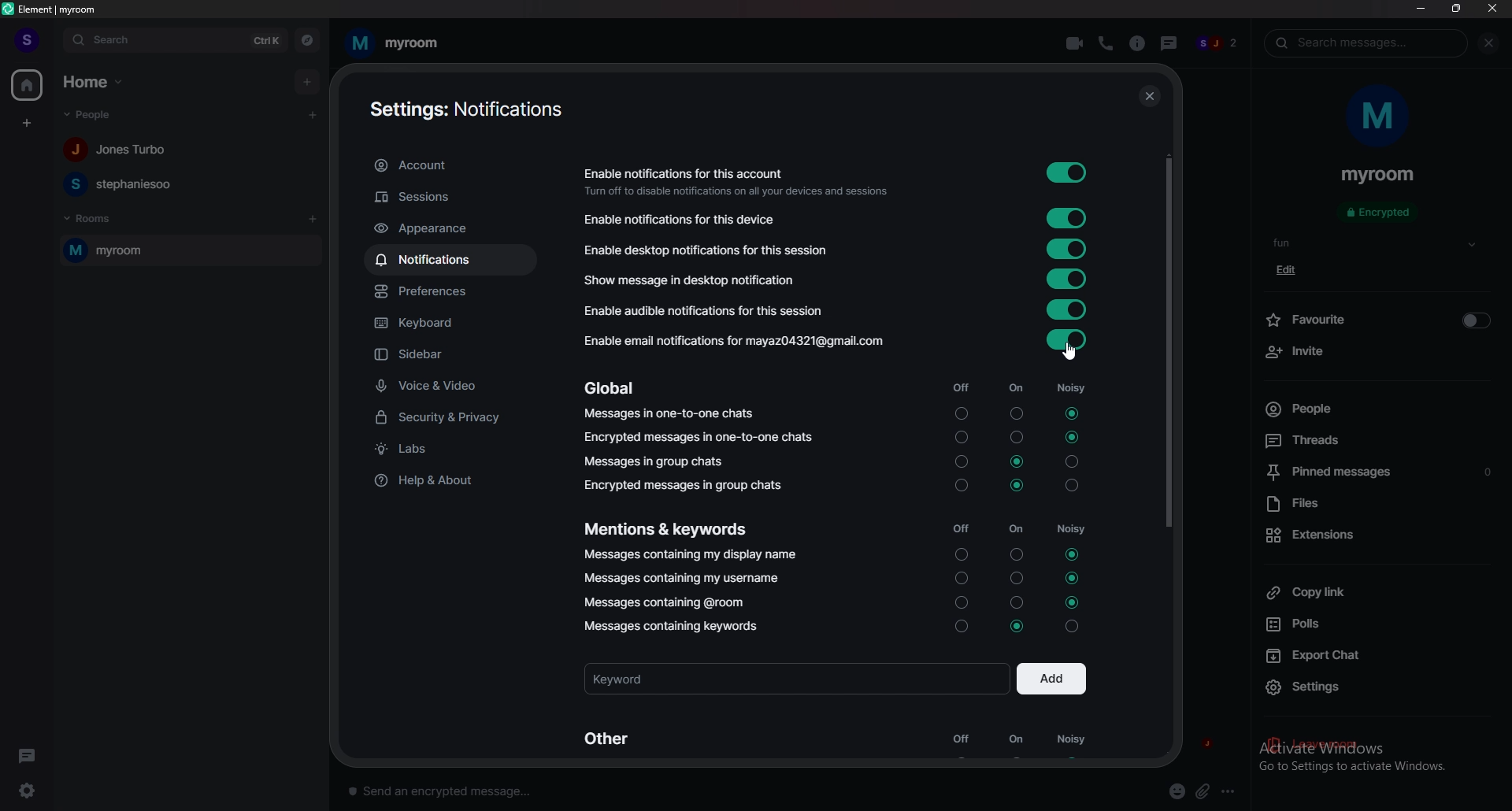 The height and width of the screenshot is (811, 1512). What do you see at coordinates (452, 228) in the screenshot?
I see `appearance` at bounding box center [452, 228].